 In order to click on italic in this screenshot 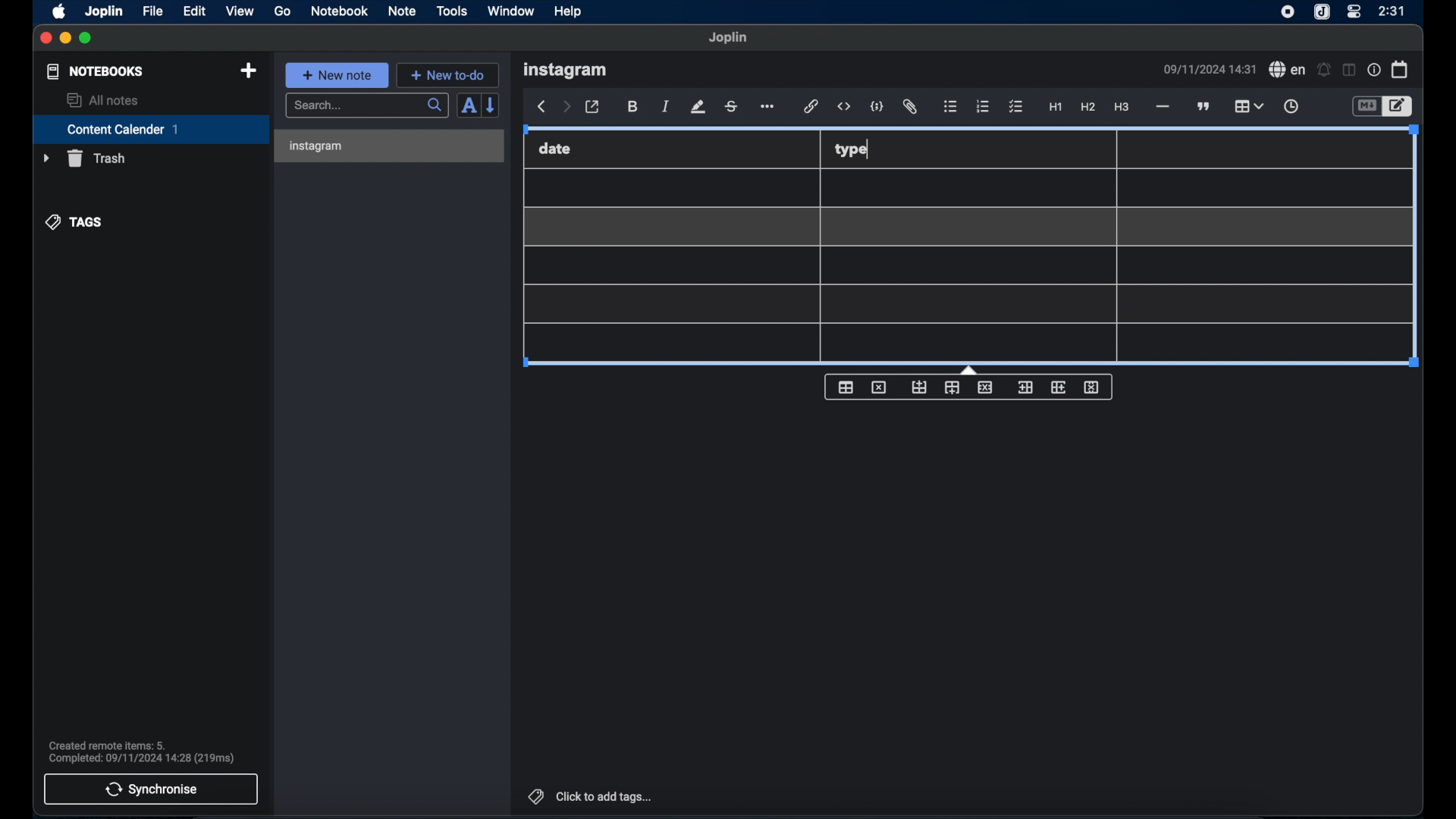, I will do `click(665, 107)`.